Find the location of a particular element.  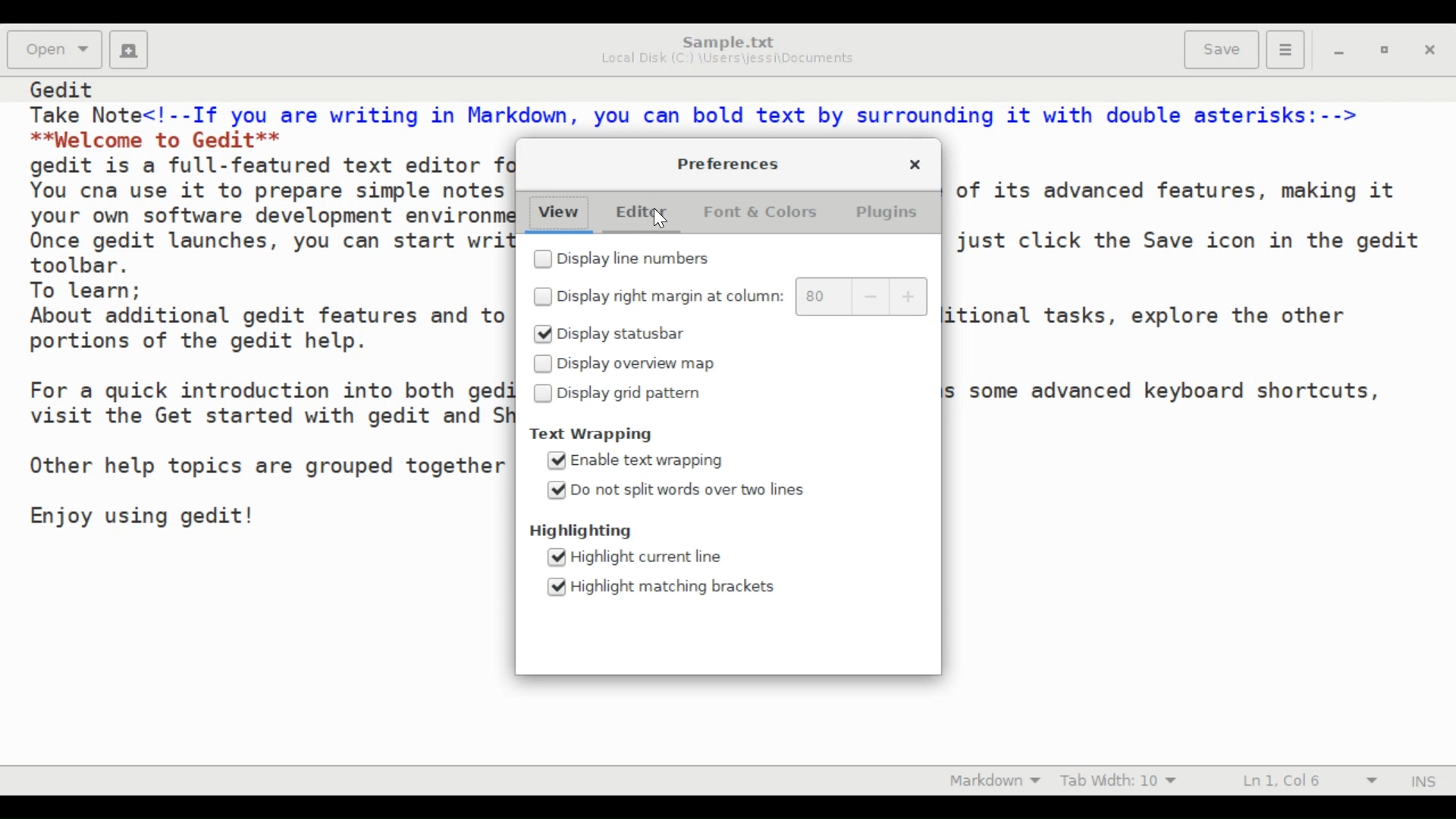

Highlighting is located at coordinates (585, 530).